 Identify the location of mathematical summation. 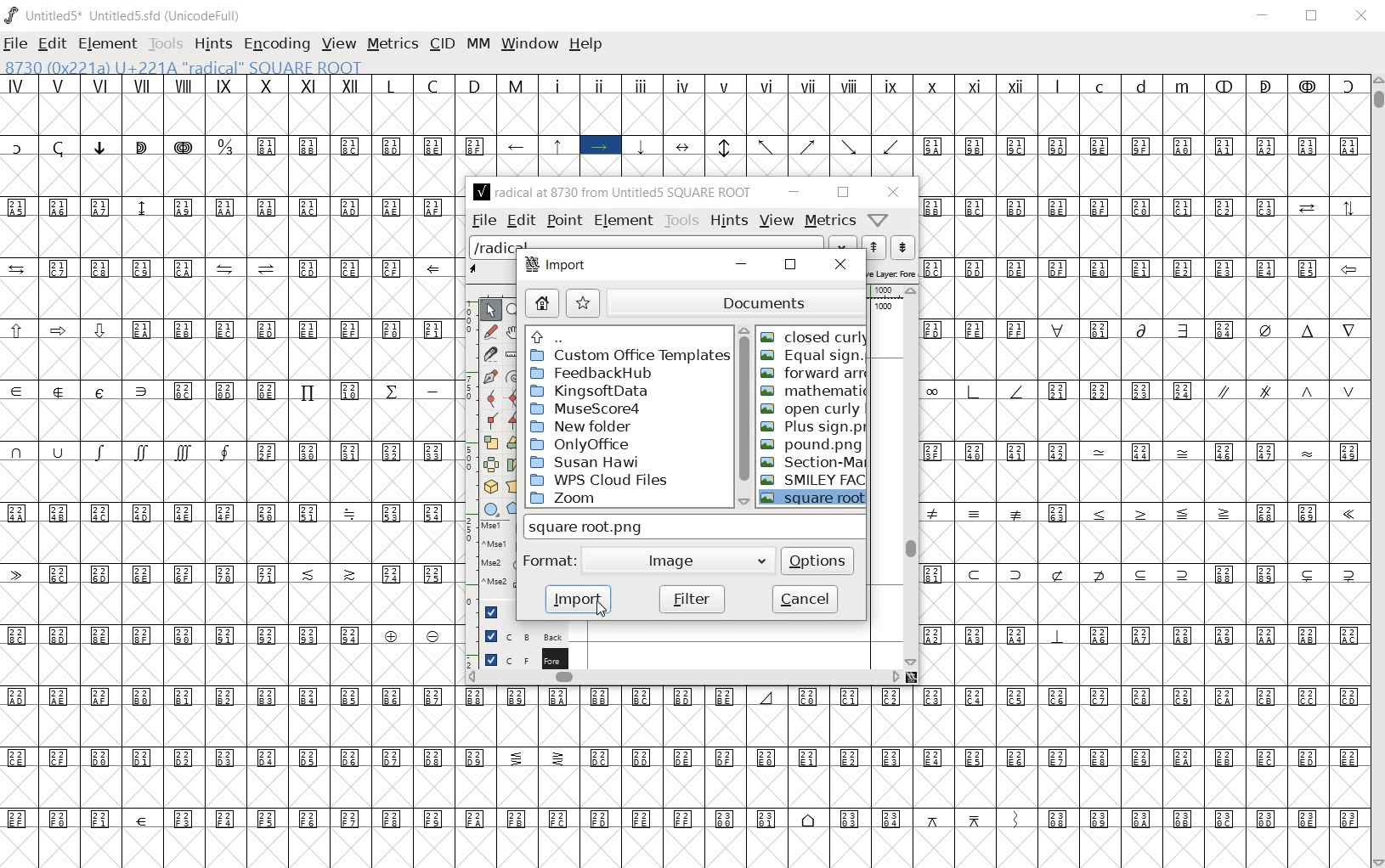
(813, 390).